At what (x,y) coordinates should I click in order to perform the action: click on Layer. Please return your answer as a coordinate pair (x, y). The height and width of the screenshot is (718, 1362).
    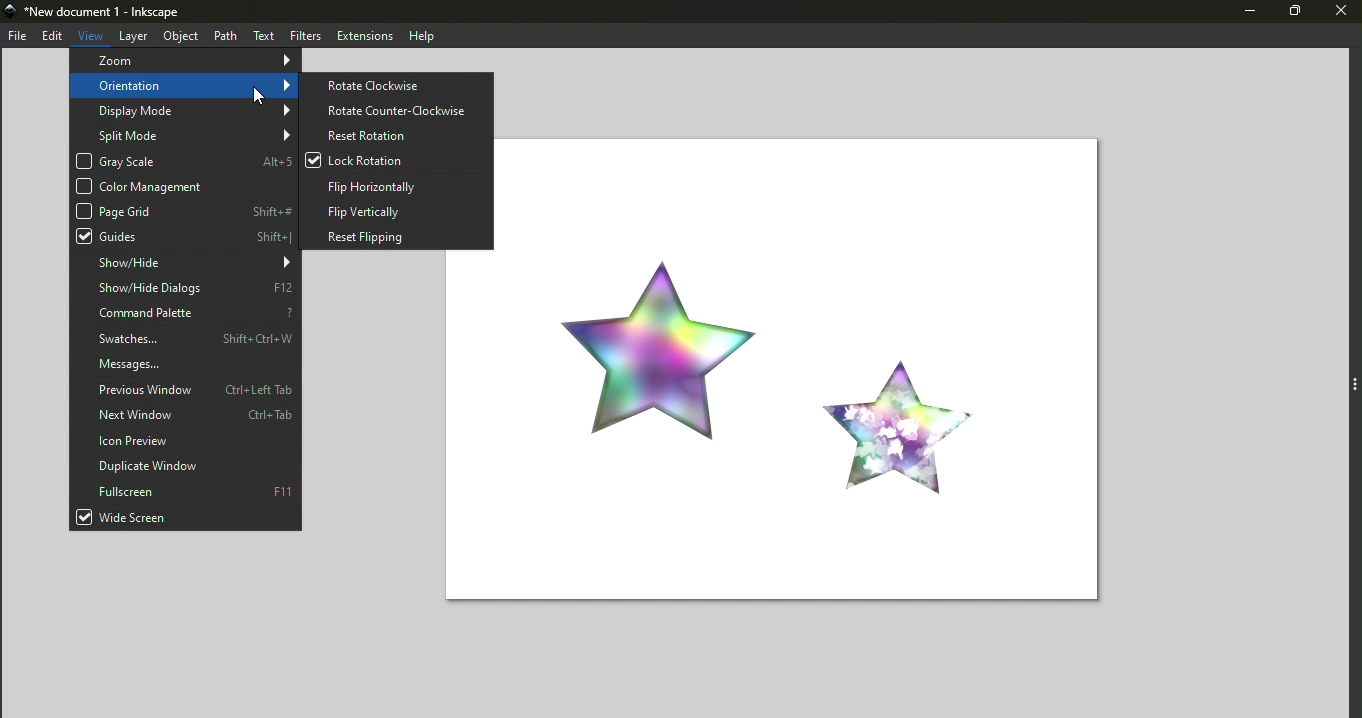
    Looking at the image, I should click on (133, 36).